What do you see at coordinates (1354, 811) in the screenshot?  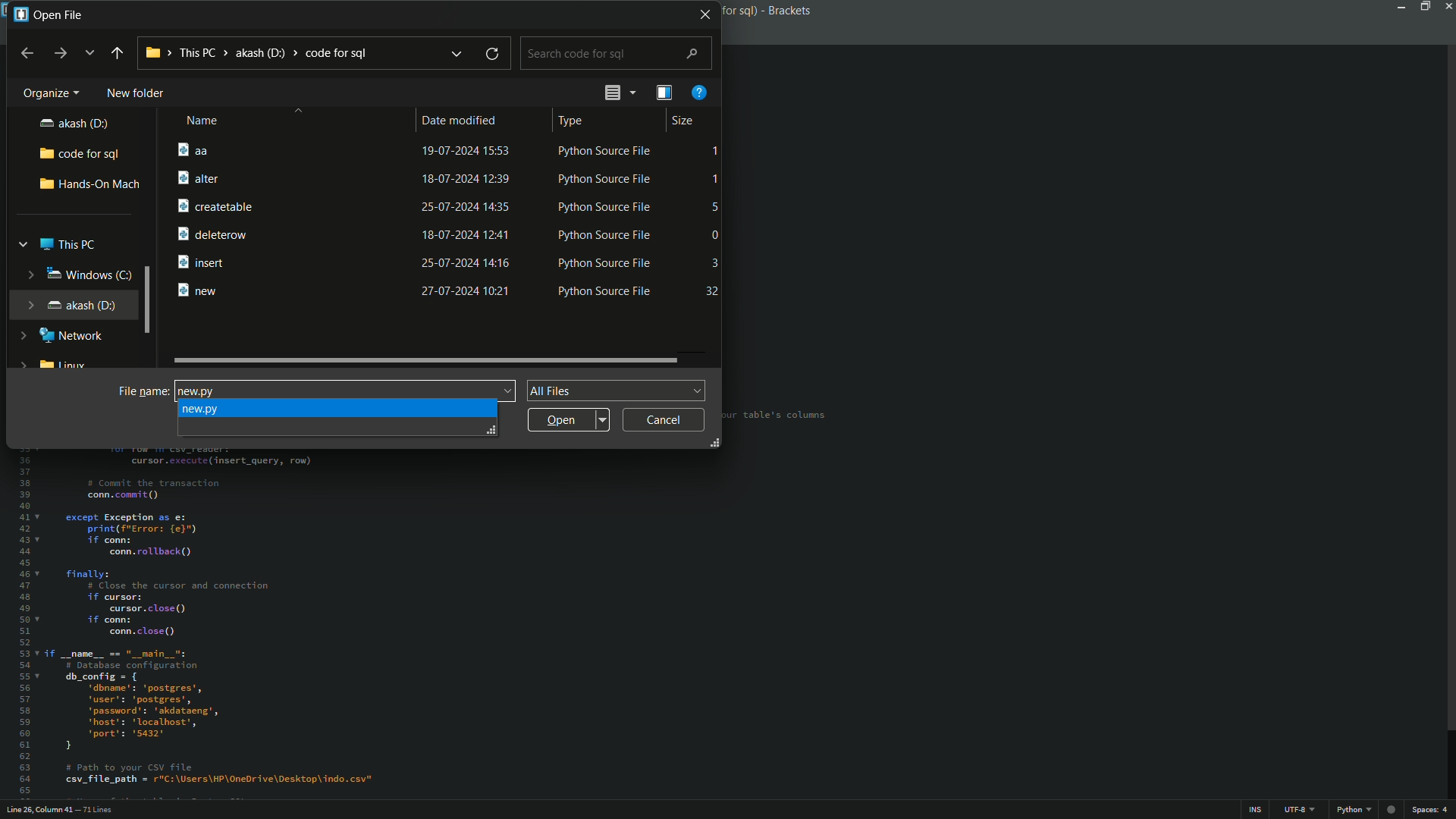 I see `file format` at bounding box center [1354, 811].